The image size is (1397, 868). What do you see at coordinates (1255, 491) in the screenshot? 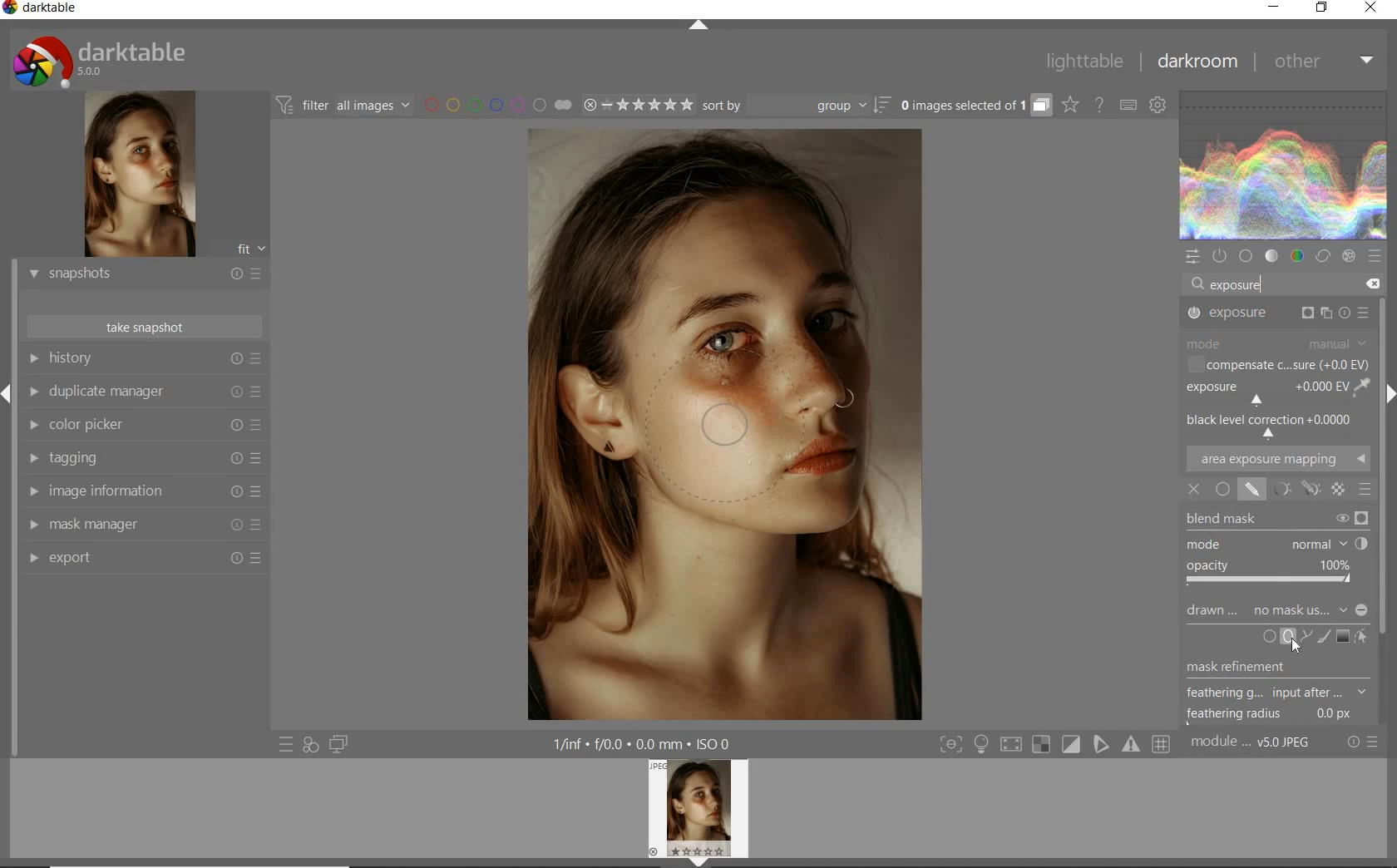
I see `drawn musk` at bounding box center [1255, 491].